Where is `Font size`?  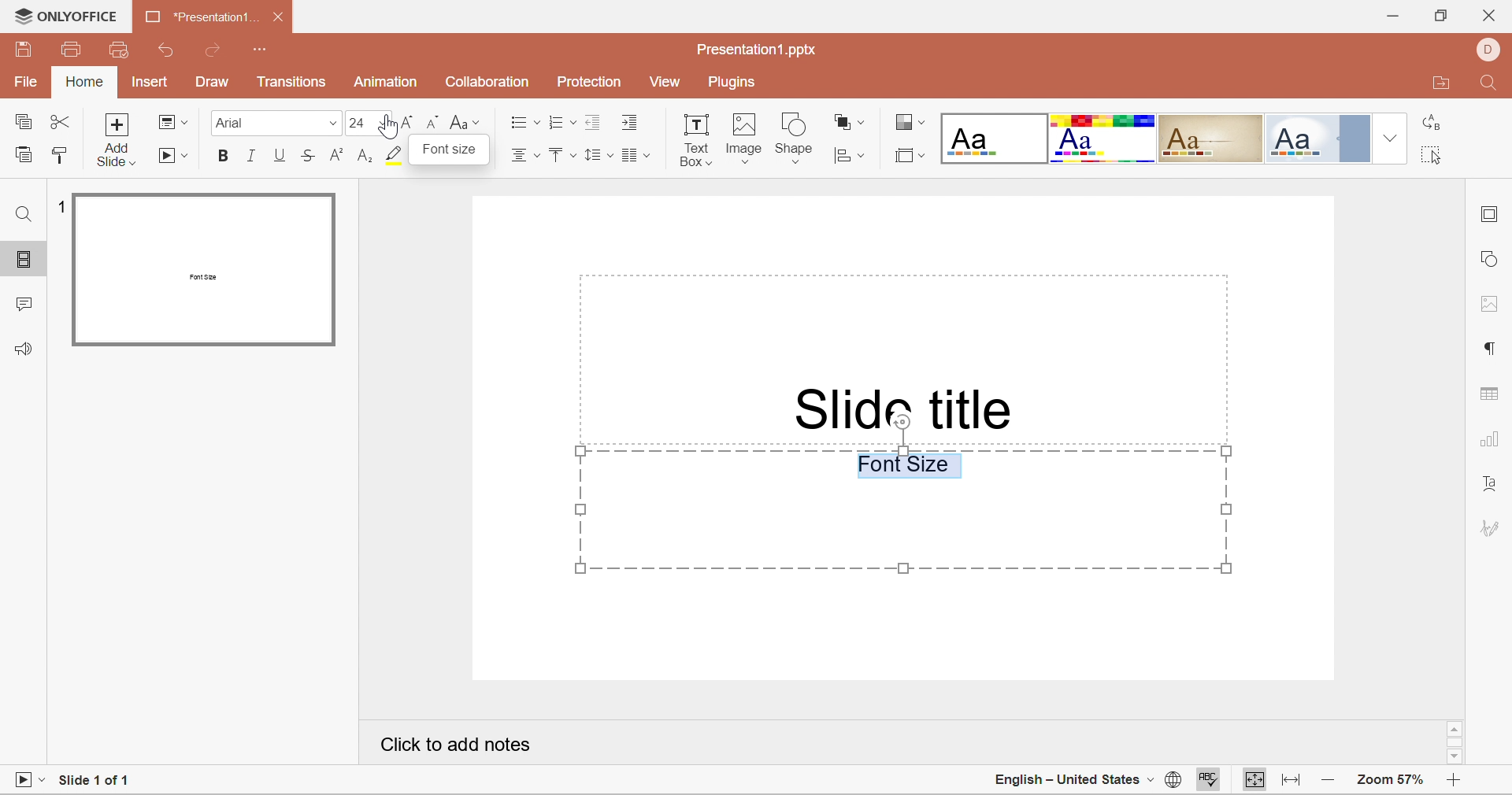
Font size is located at coordinates (452, 153).